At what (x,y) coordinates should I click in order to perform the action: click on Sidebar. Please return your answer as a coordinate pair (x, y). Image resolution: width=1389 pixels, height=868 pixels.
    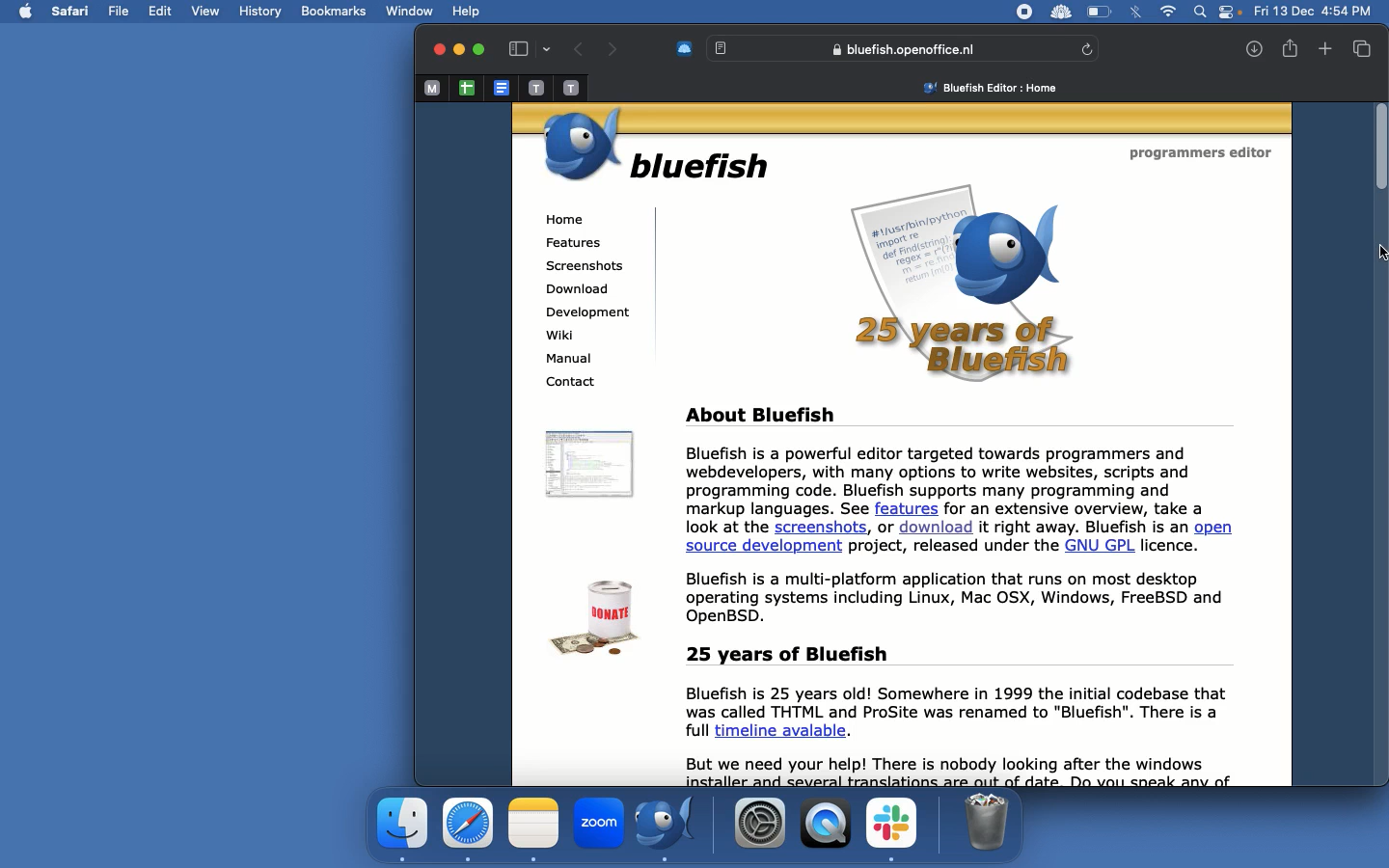
    Looking at the image, I should click on (529, 49).